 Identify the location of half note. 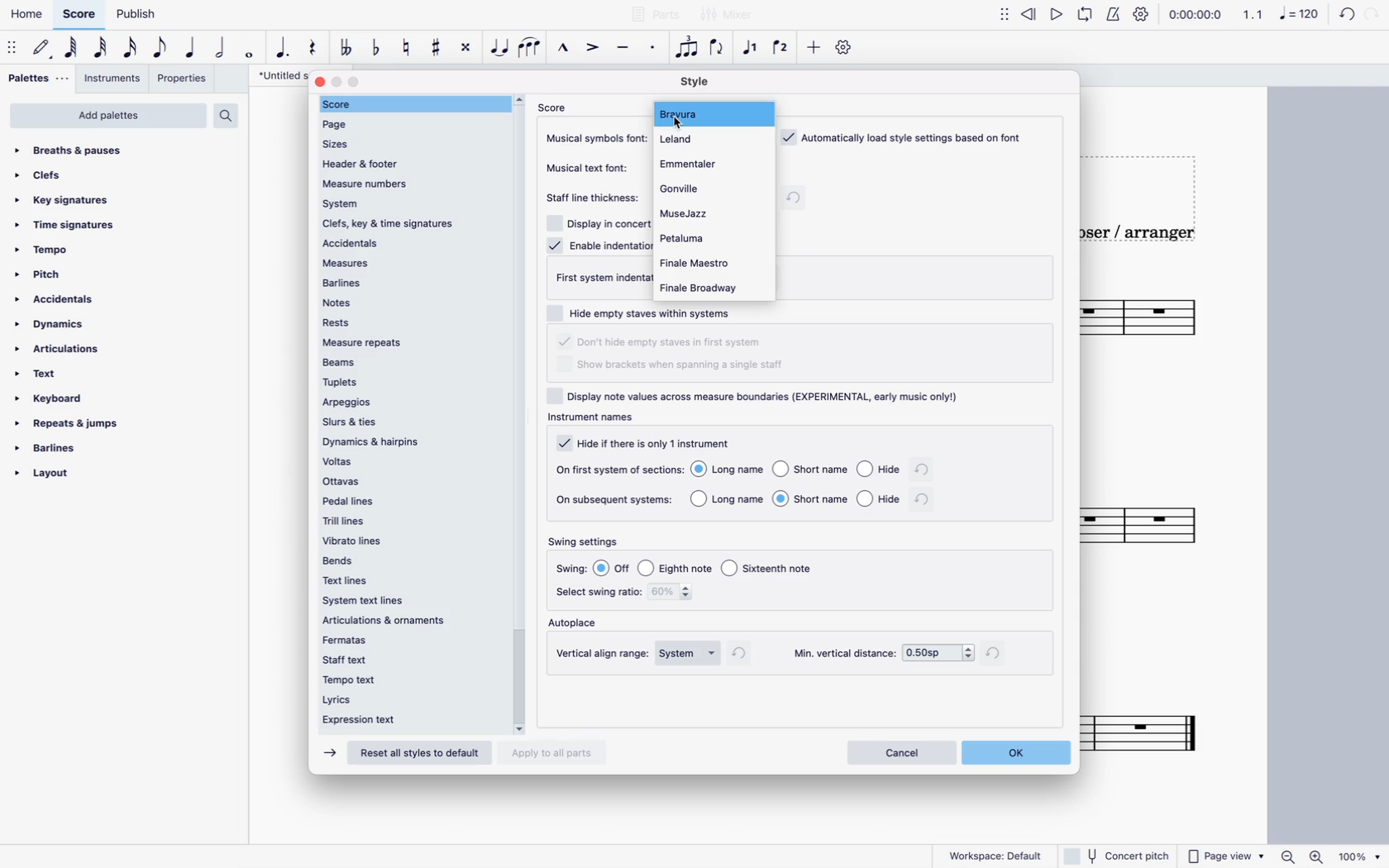
(223, 53).